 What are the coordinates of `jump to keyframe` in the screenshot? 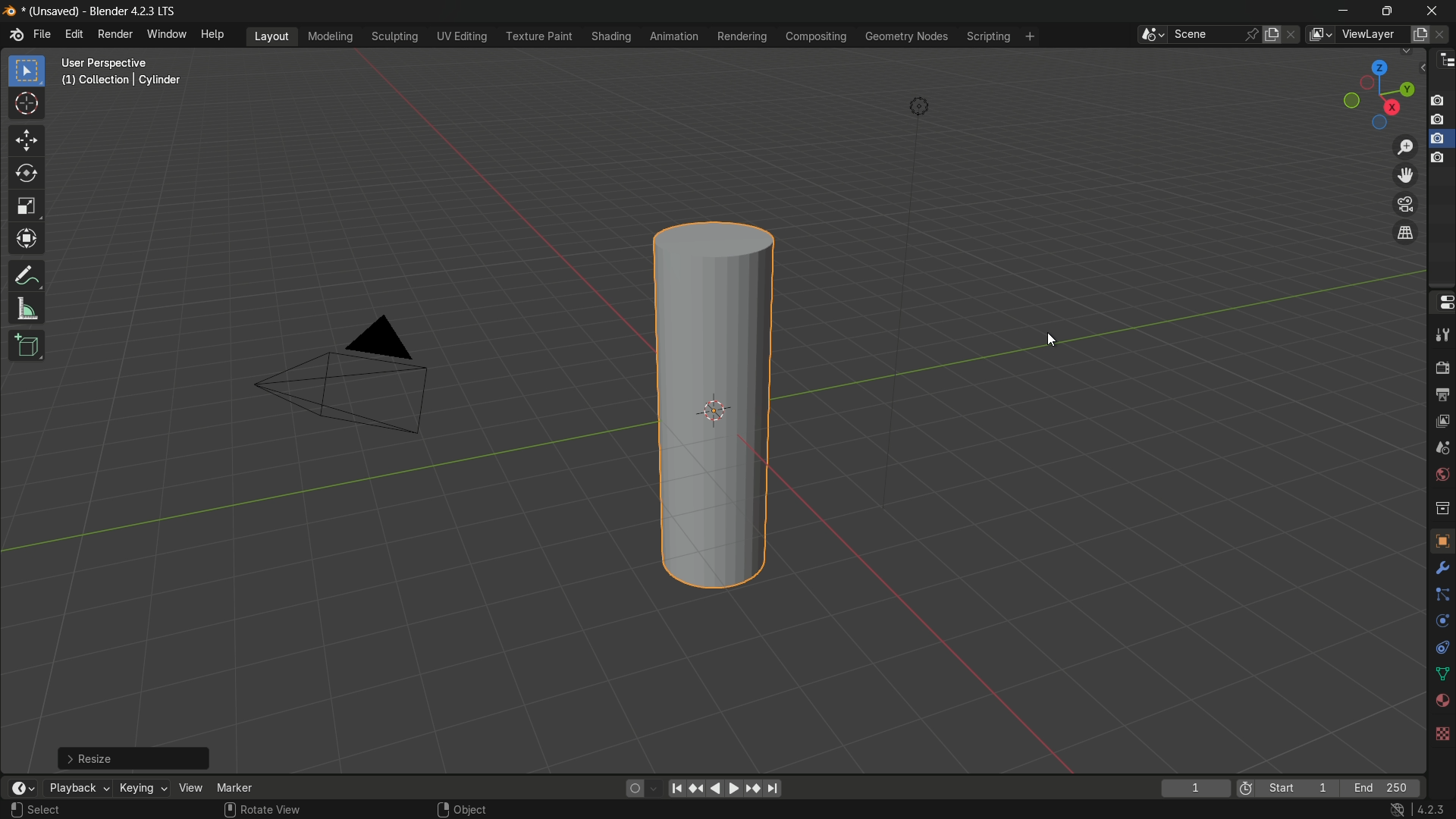 It's located at (753, 789).